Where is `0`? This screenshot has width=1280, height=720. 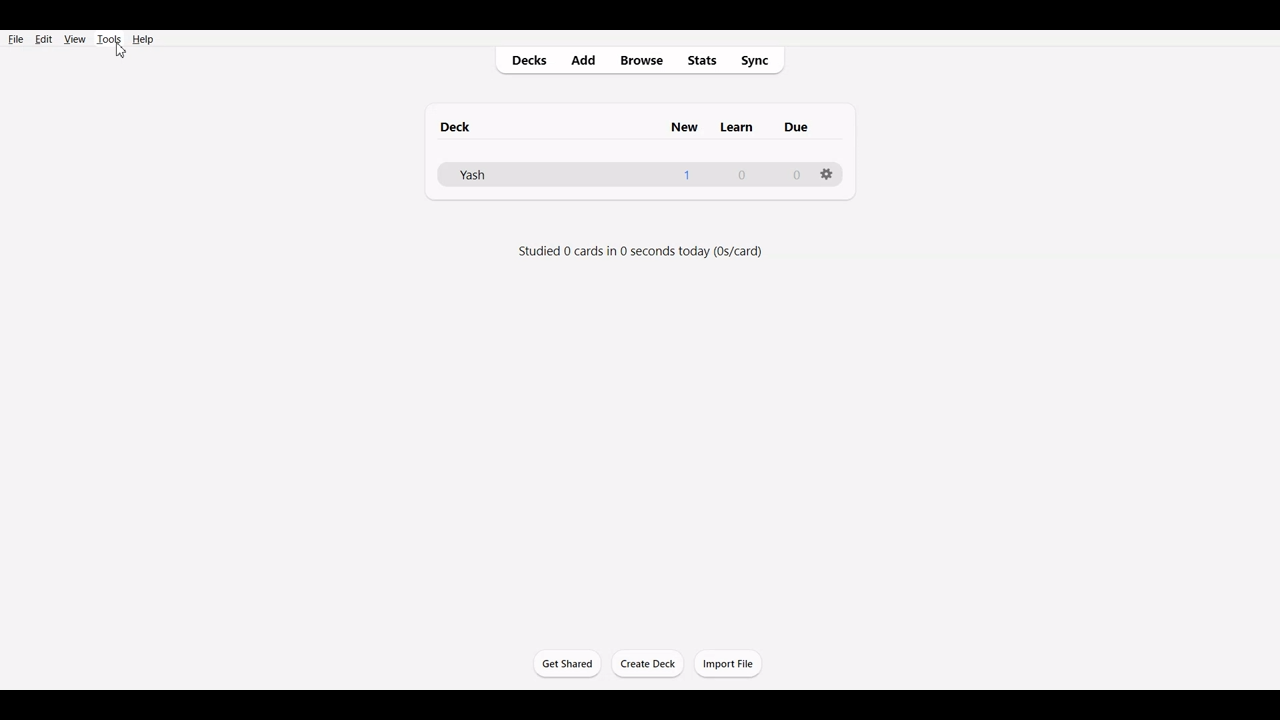 0 is located at coordinates (740, 176).